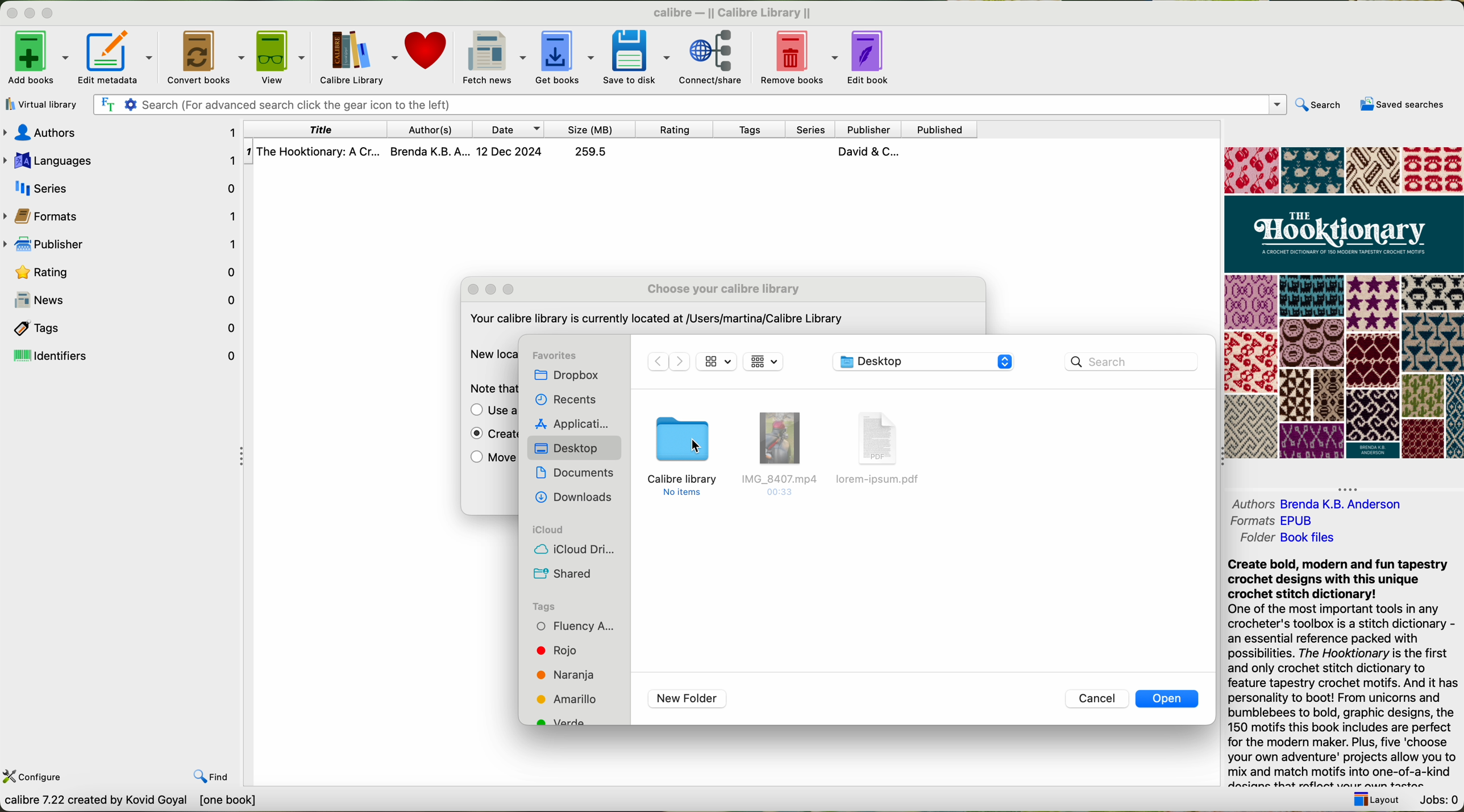 This screenshot has width=1464, height=812. I want to click on jobs: 0, so click(1441, 801).